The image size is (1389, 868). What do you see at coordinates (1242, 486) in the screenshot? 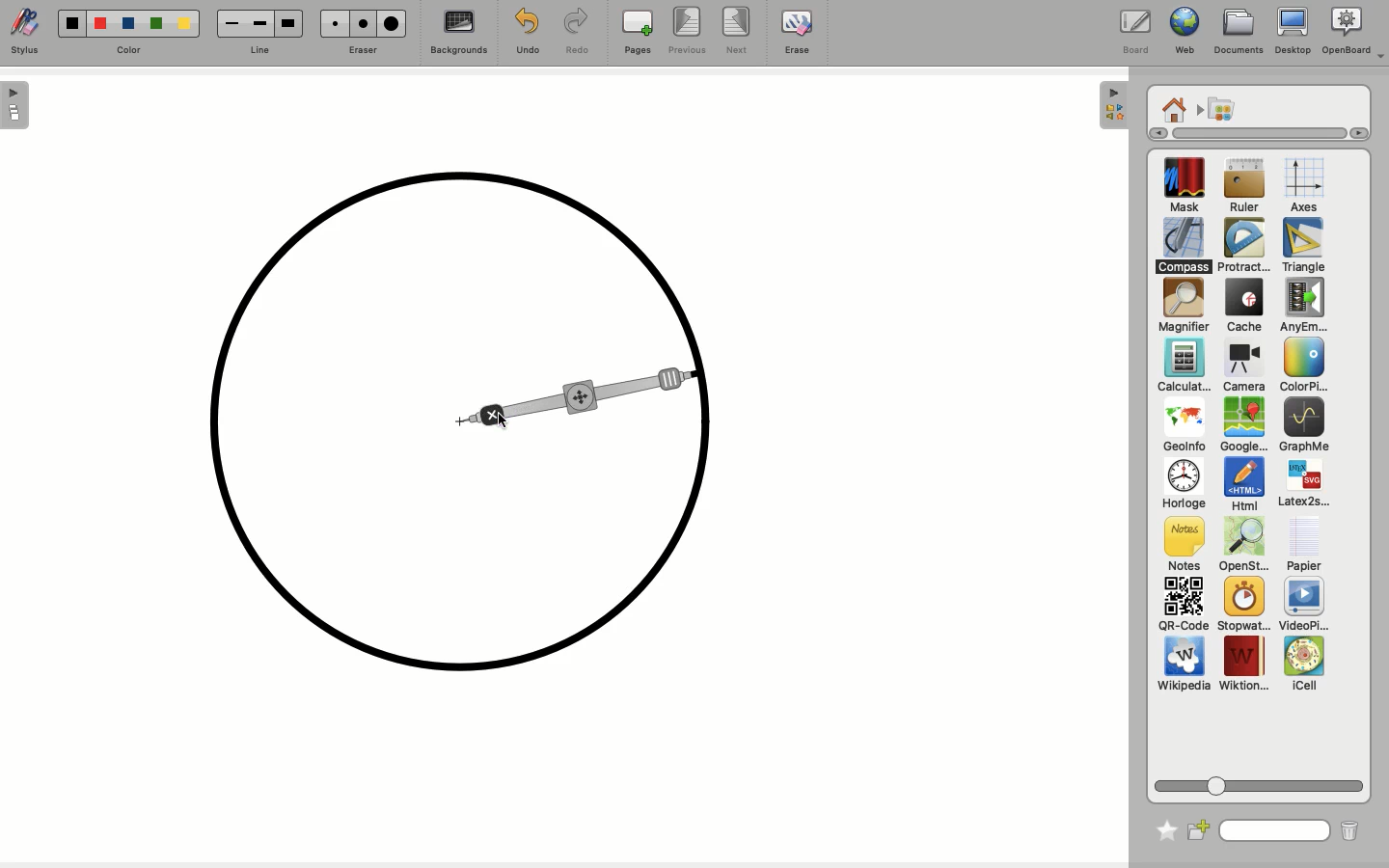
I see `Html` at bounding box center [1242, 486].